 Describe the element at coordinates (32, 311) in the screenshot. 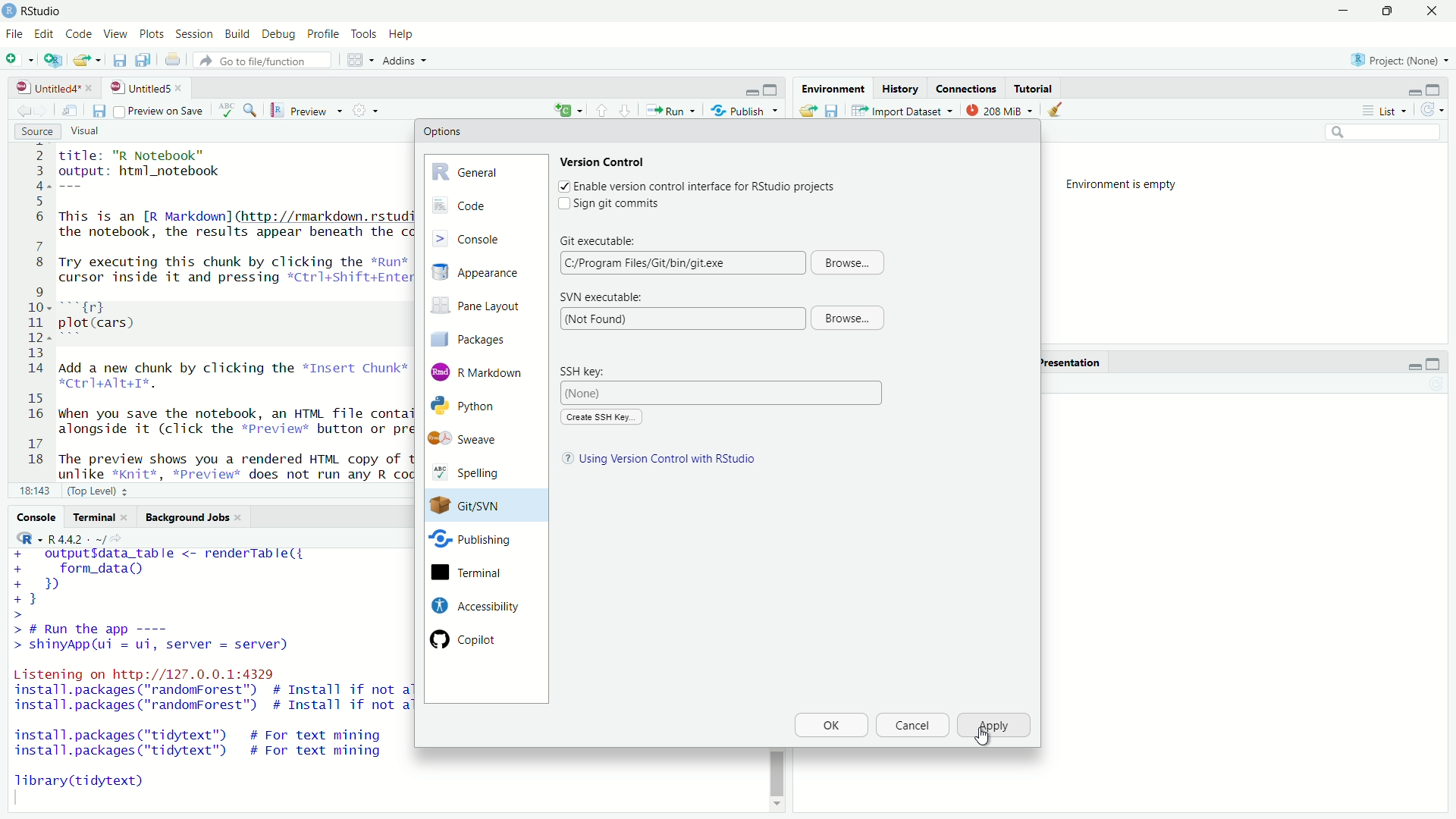

I see `2 3 4 5 6 7 8 9 10 11 12 13 14 15 16 17 18` at that location.